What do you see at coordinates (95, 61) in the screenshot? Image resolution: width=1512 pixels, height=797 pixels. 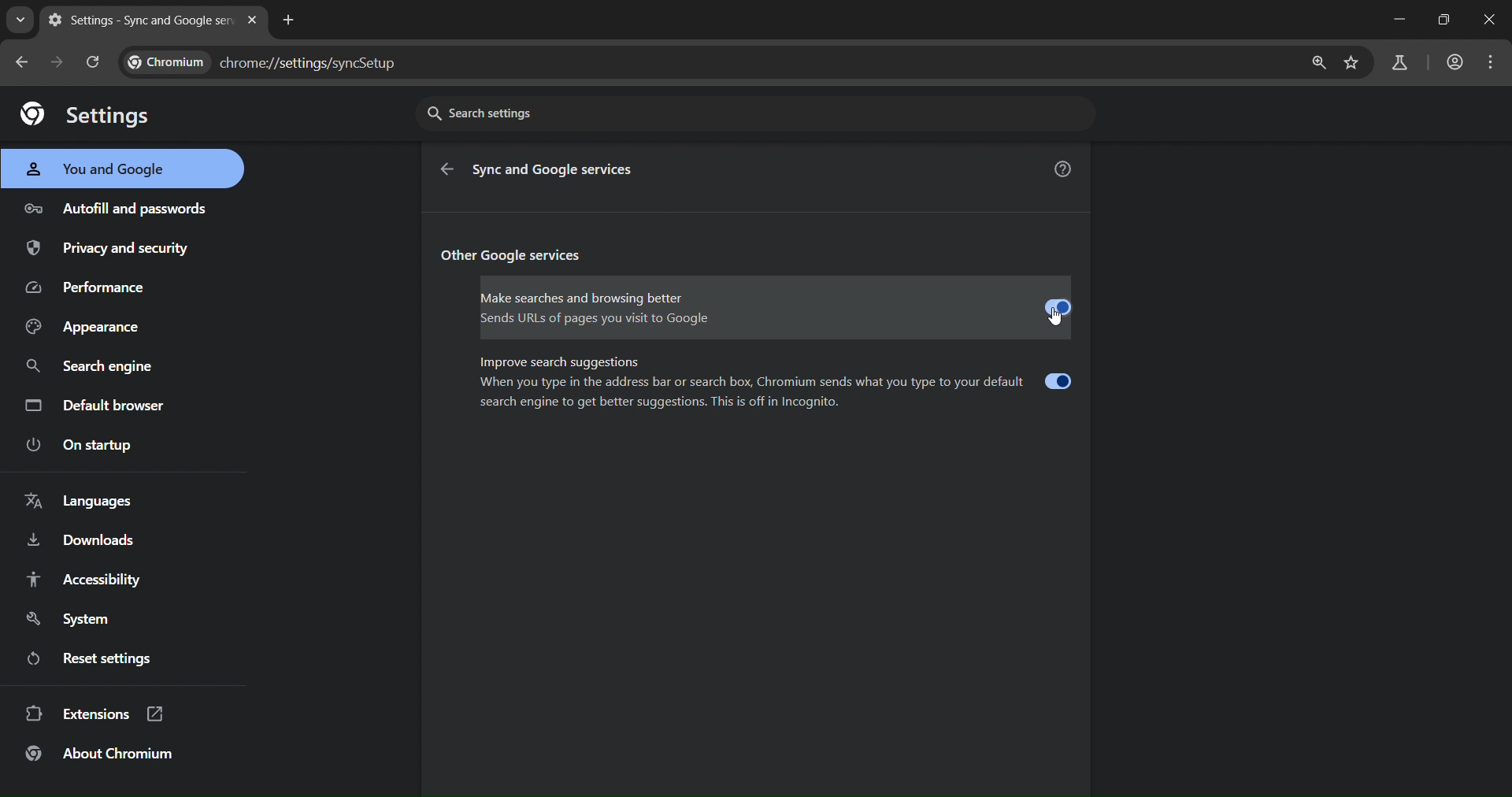 I see `reload page` at bounding box center [95, 61].